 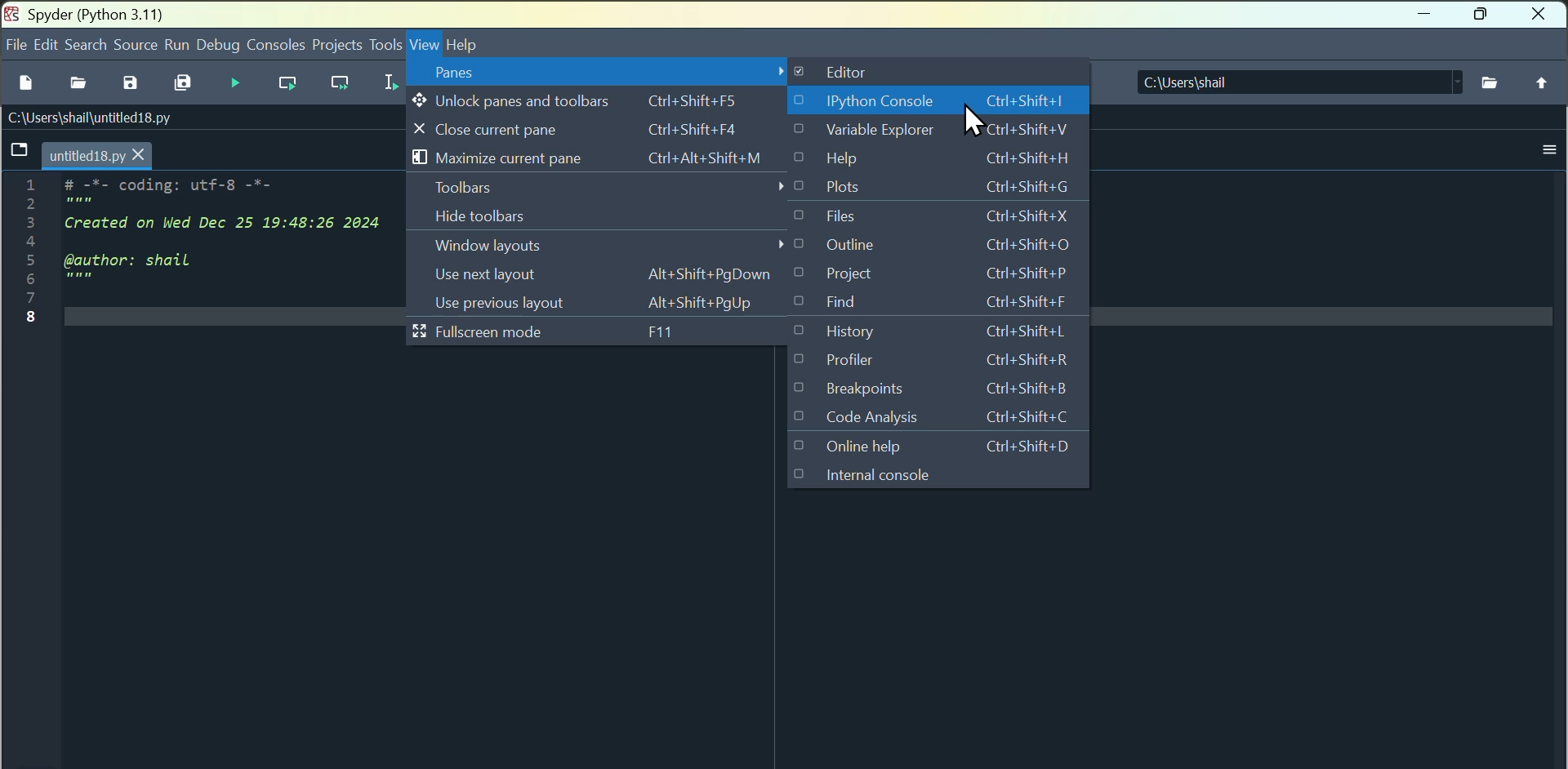 I want to click on help, so click(x=461, y=44).